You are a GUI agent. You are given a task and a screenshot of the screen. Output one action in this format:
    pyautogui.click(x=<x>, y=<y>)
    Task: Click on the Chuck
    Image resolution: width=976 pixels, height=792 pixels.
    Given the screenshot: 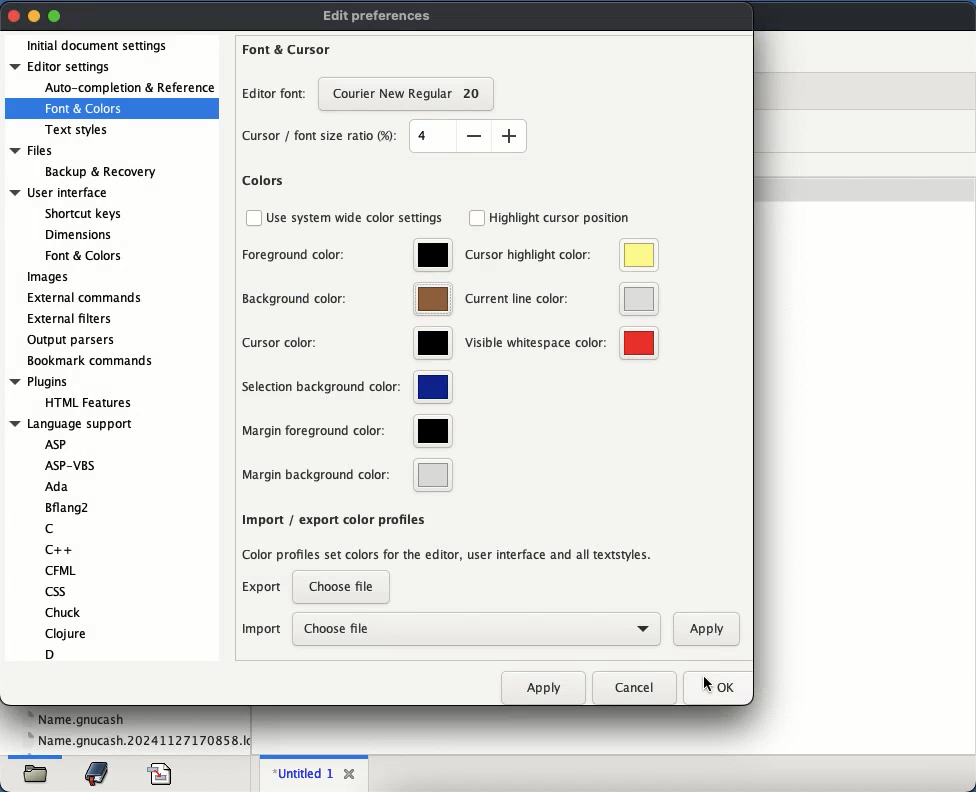 What is the action you would take?
    pyautogui.click(x=61, y=611)
    